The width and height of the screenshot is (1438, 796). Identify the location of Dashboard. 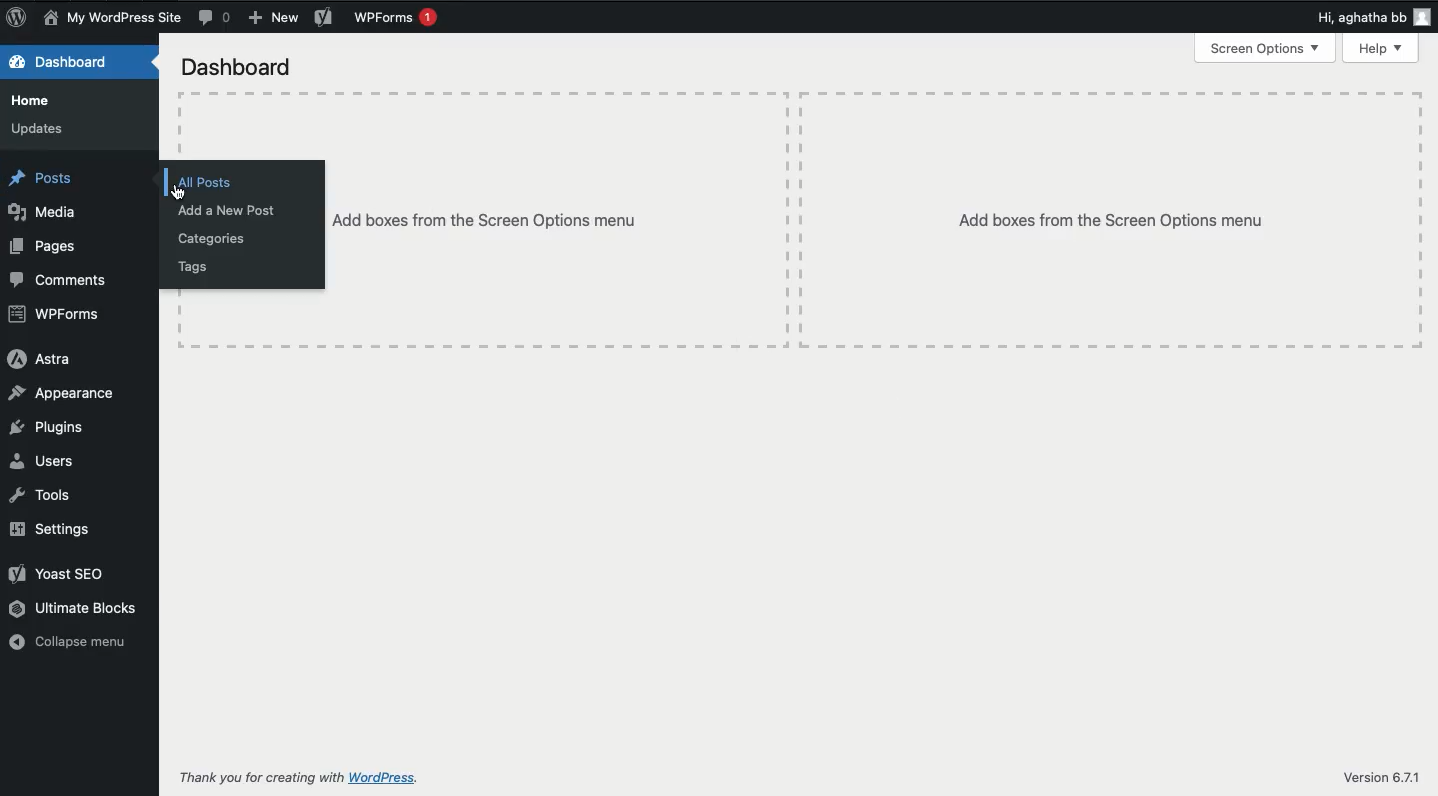
(238, 69).